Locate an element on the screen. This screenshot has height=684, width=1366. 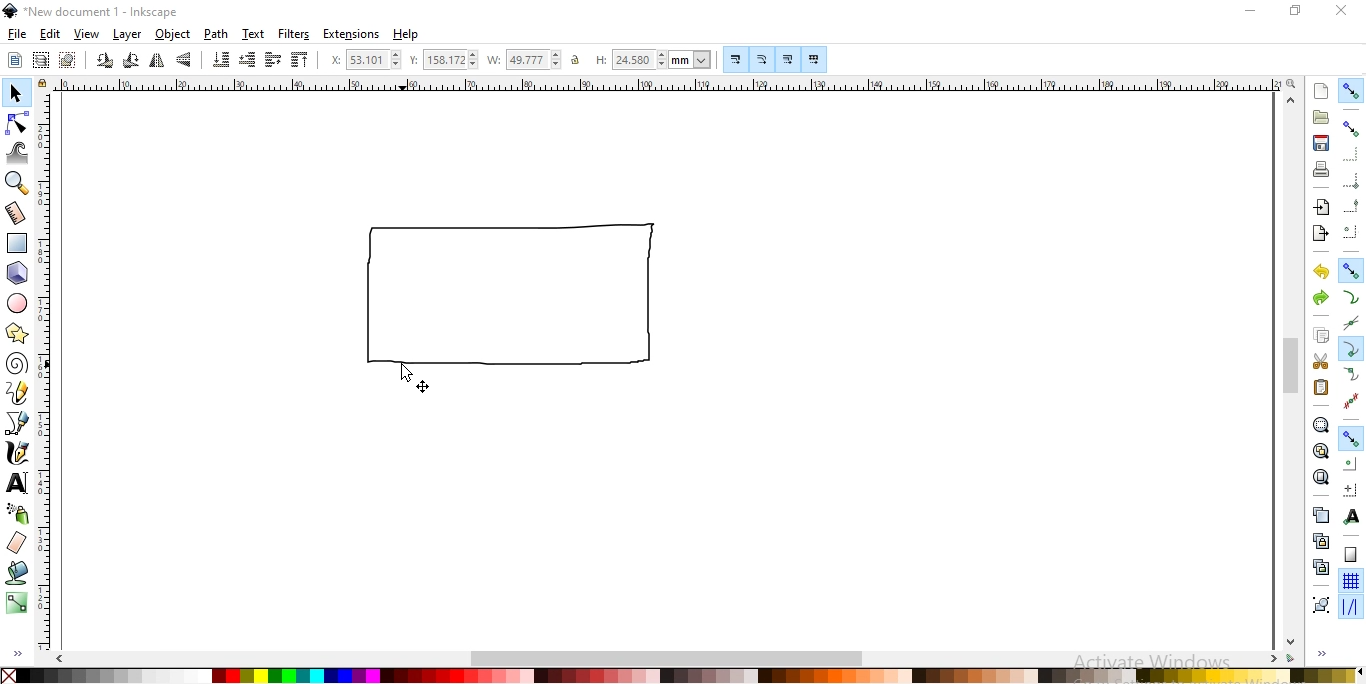
object is located at coordinates (172, 34).